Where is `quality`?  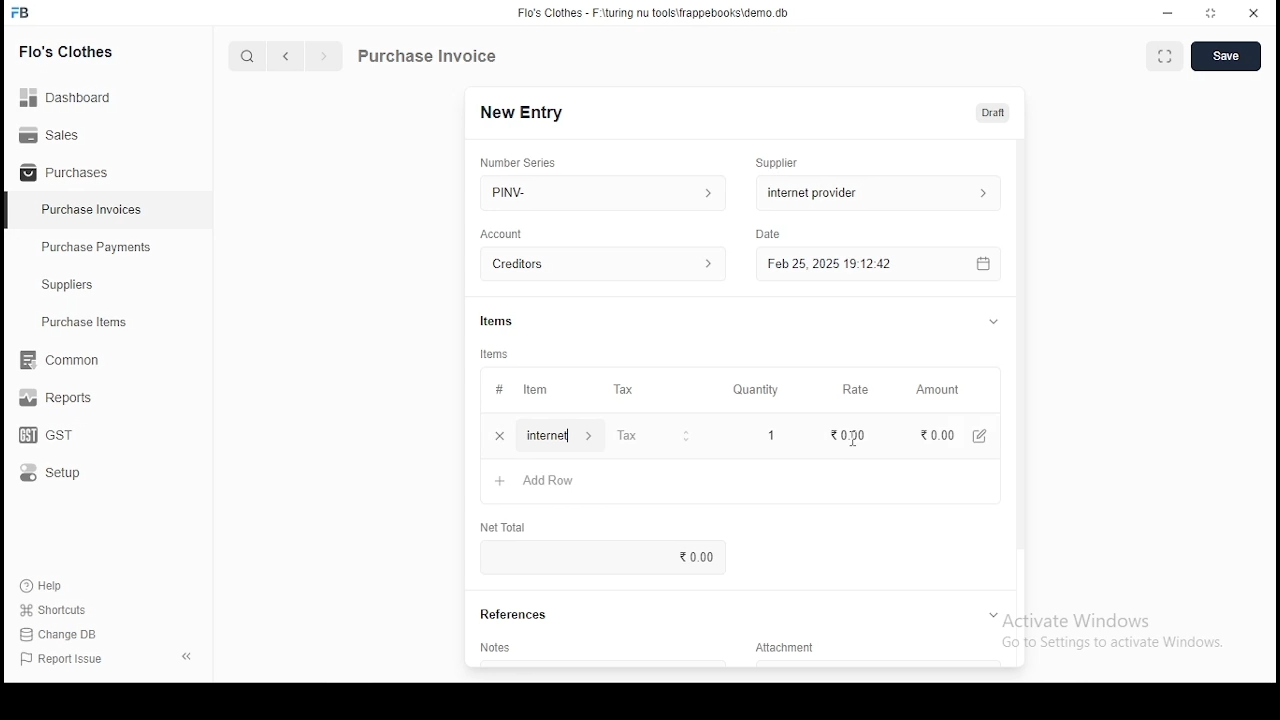
quality is located at coordinates (756, 390).